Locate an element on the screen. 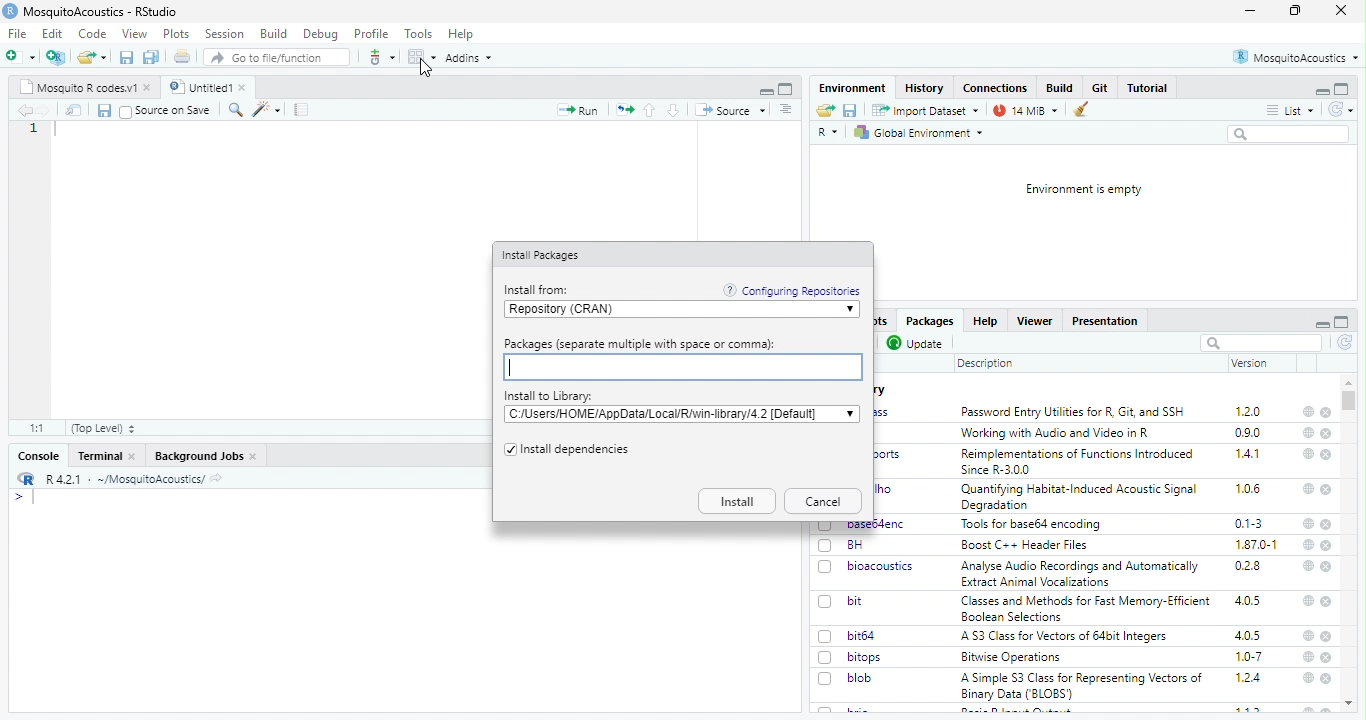  028 is located at coordinates (1248, 566).